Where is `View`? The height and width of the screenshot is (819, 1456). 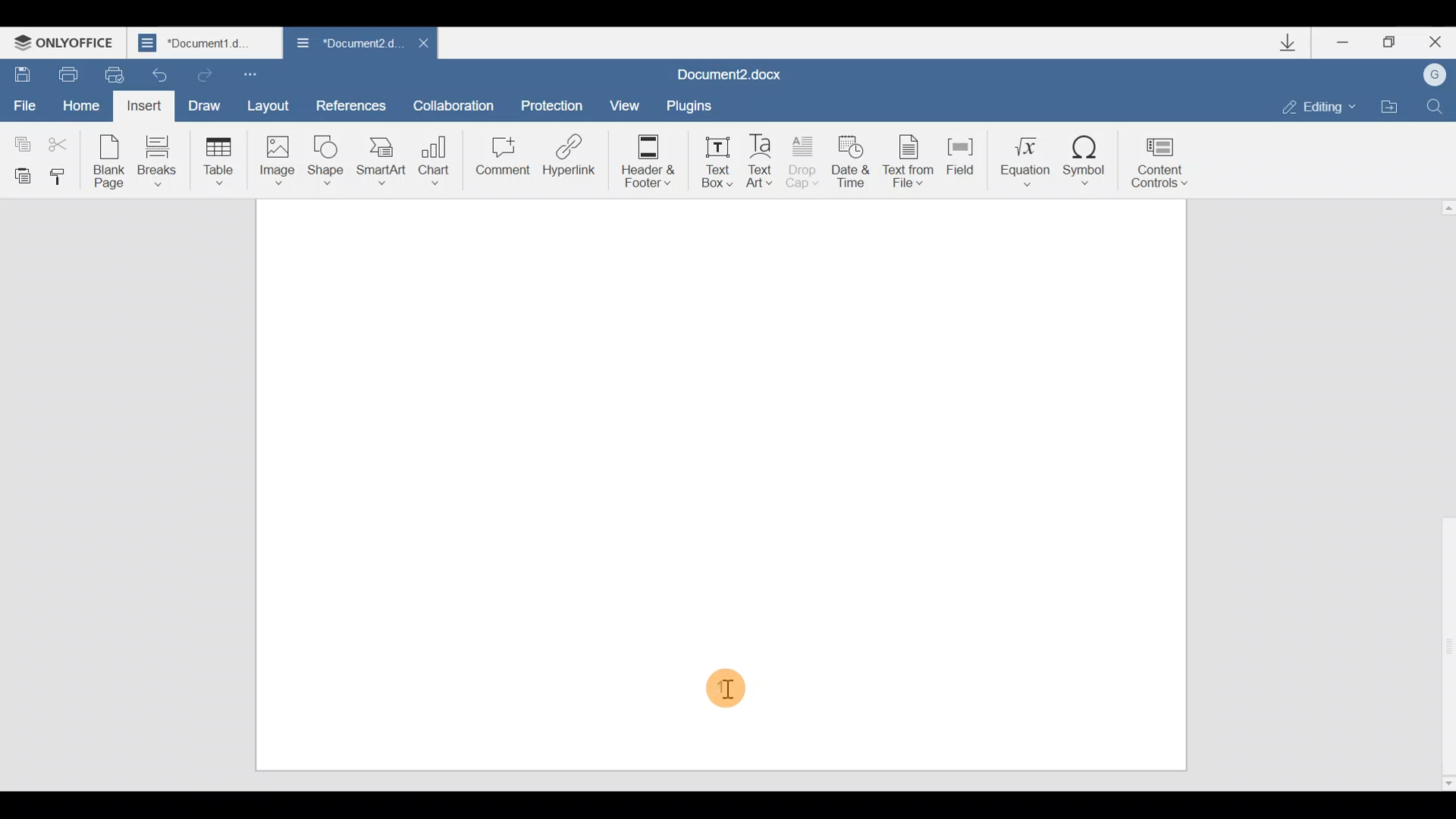 View is located at coordinates (627, 102).